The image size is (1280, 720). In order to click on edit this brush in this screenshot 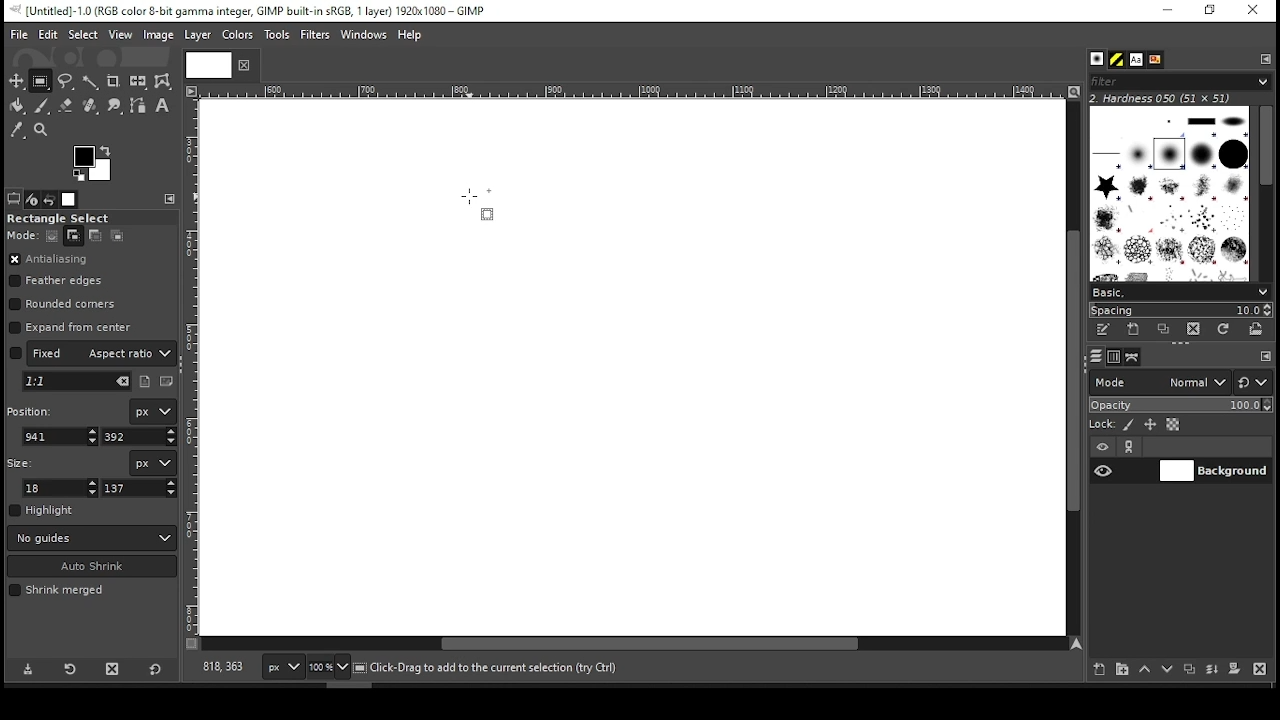, I will do `click(1102, 331)`.